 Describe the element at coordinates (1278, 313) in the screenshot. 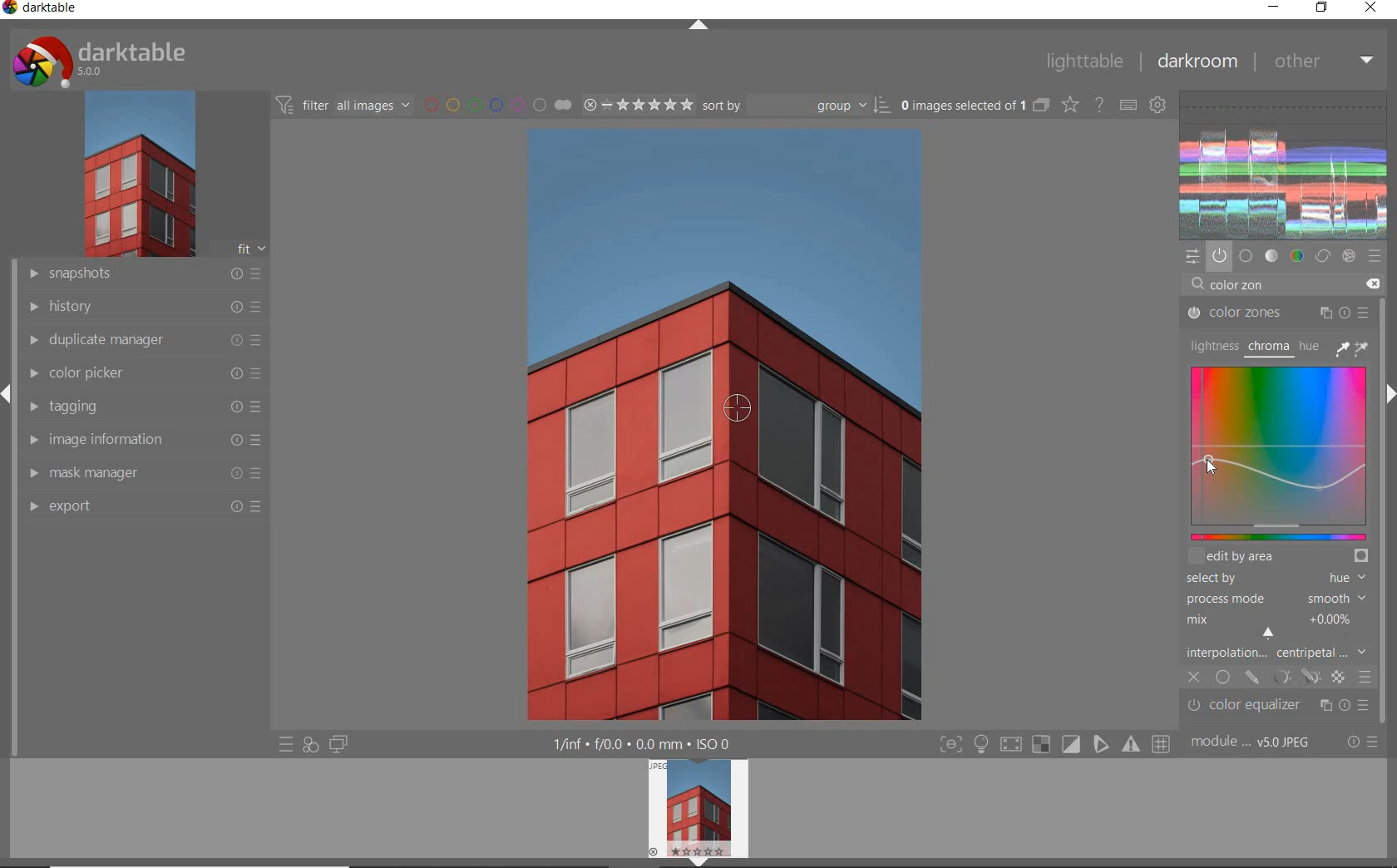

I see `COLOR ZONES` at that location.